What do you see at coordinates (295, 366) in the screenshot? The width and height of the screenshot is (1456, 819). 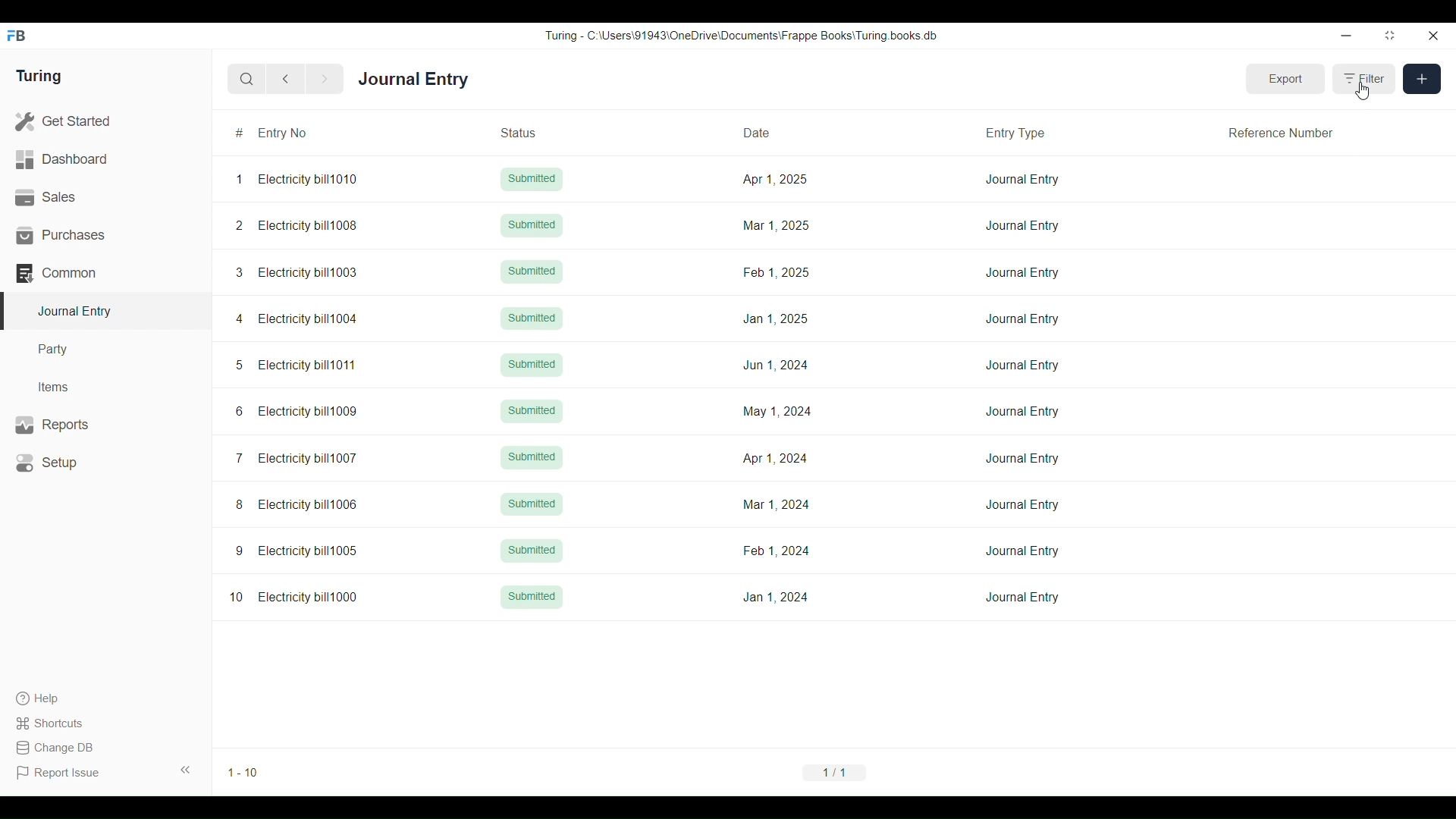 I see `5 Electricity bill1011` at bounding box center [295, 366].